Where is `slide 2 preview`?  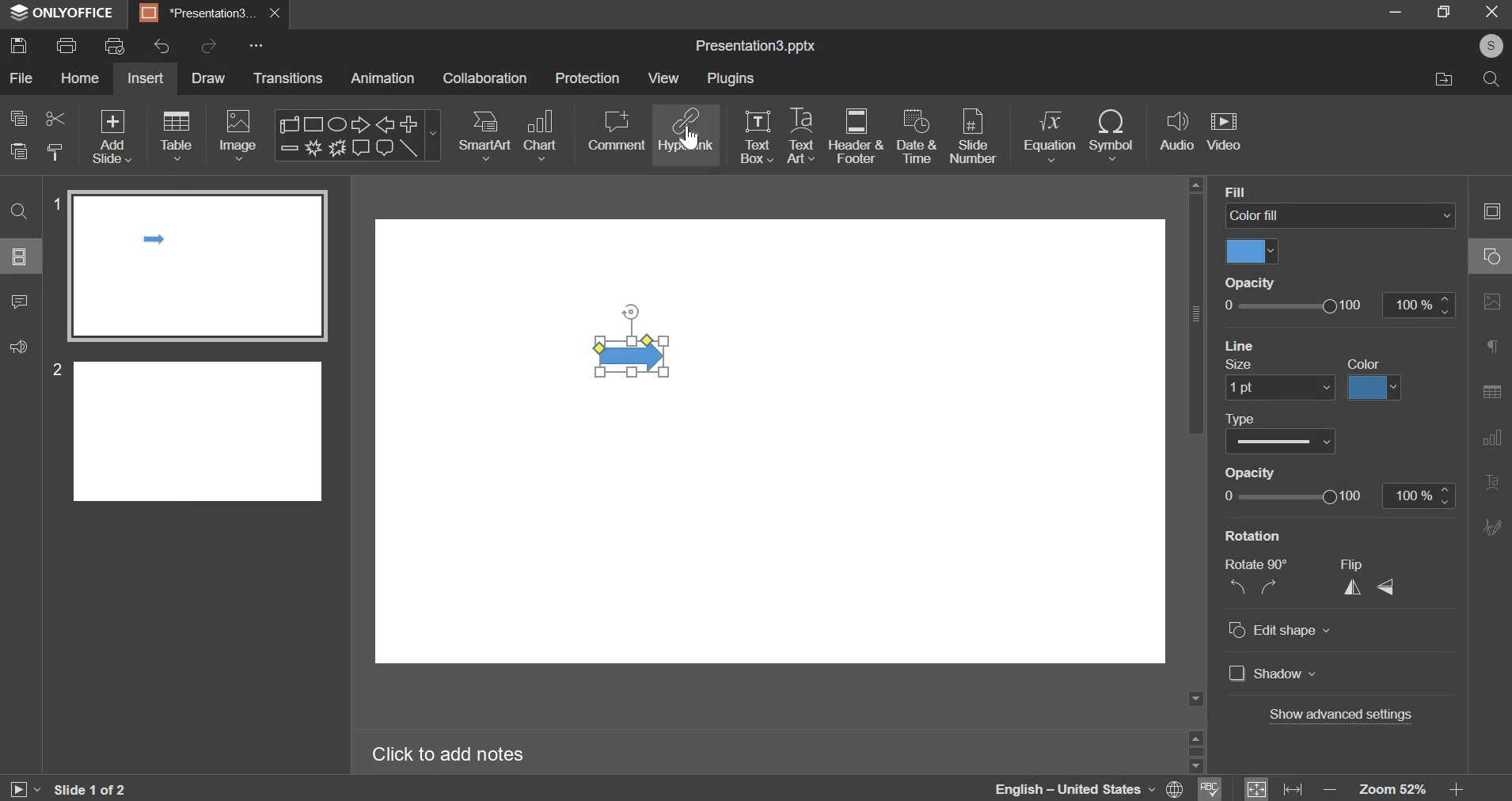
slide 2 preview is located at coordinates (199, 429).